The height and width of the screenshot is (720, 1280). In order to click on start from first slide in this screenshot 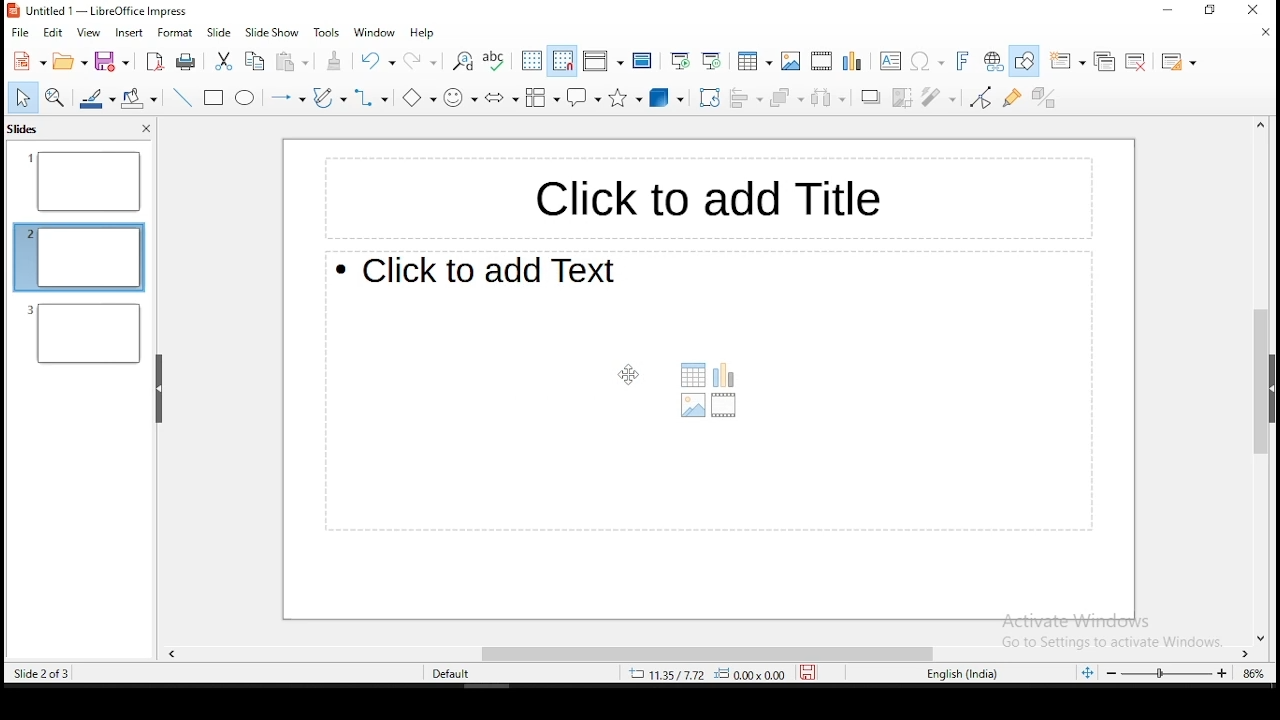, I will do `click(676, 62)`.